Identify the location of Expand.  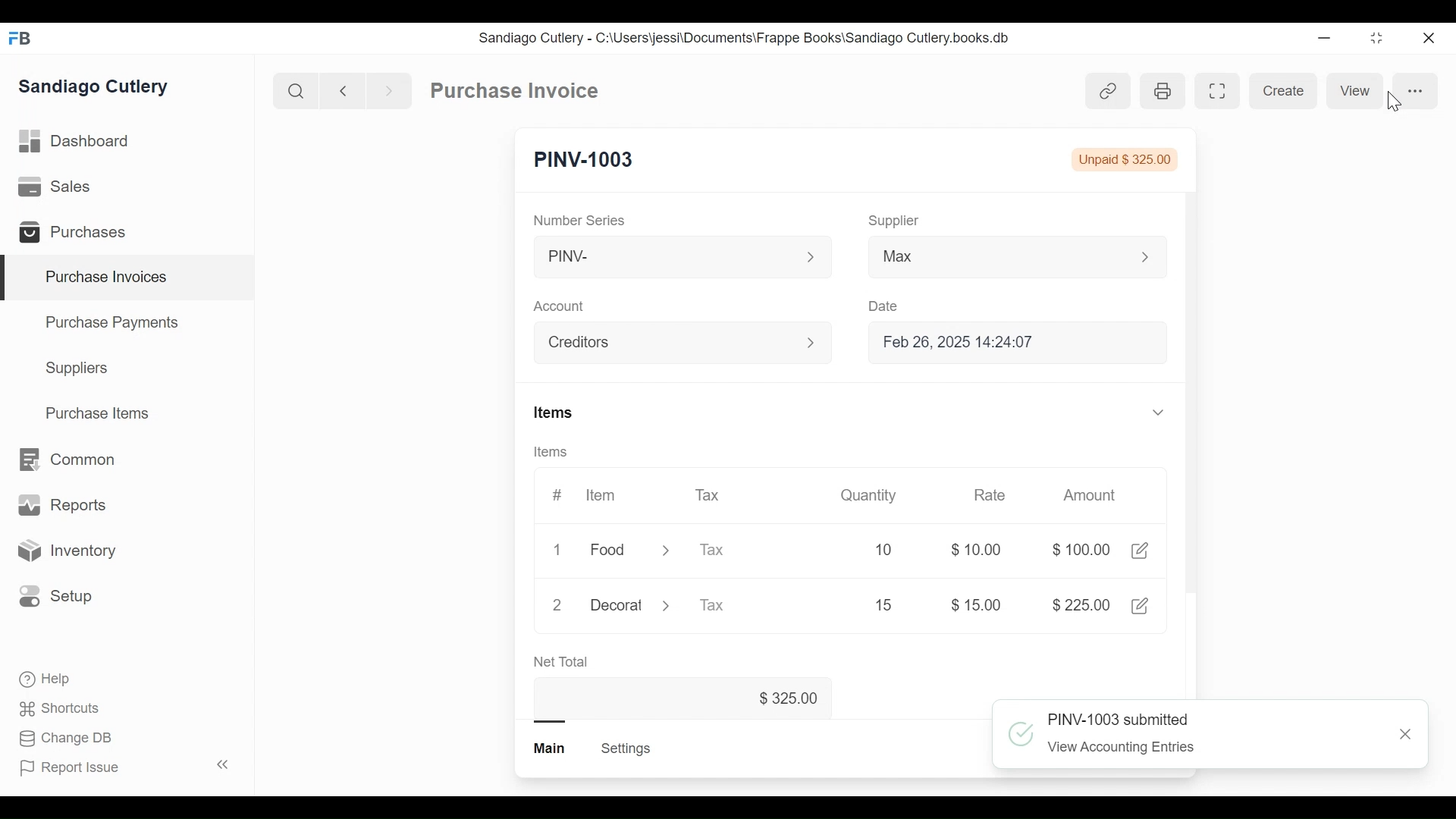
(669, 605).